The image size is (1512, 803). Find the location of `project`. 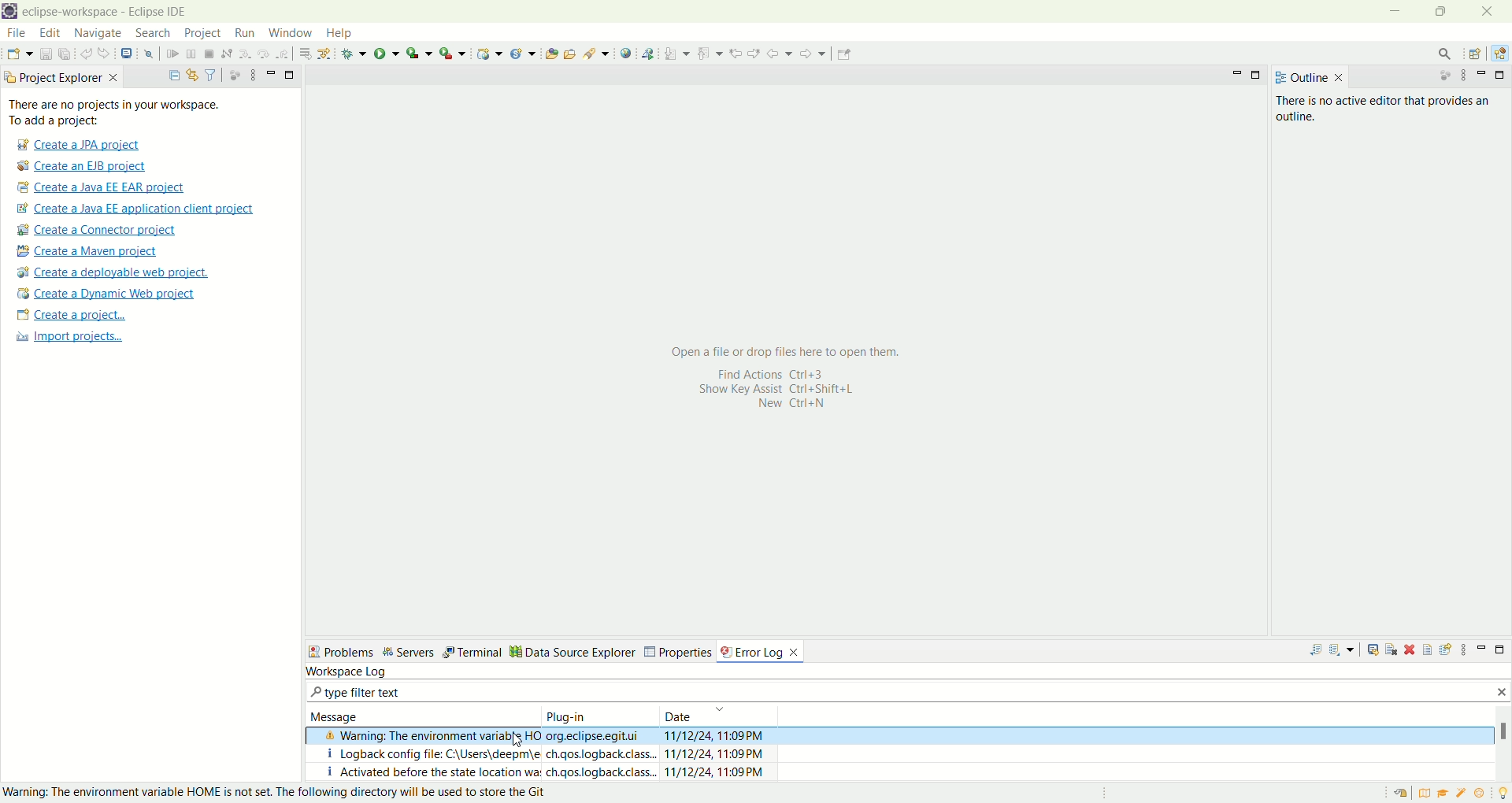

project is located at coordinates (202, 34).